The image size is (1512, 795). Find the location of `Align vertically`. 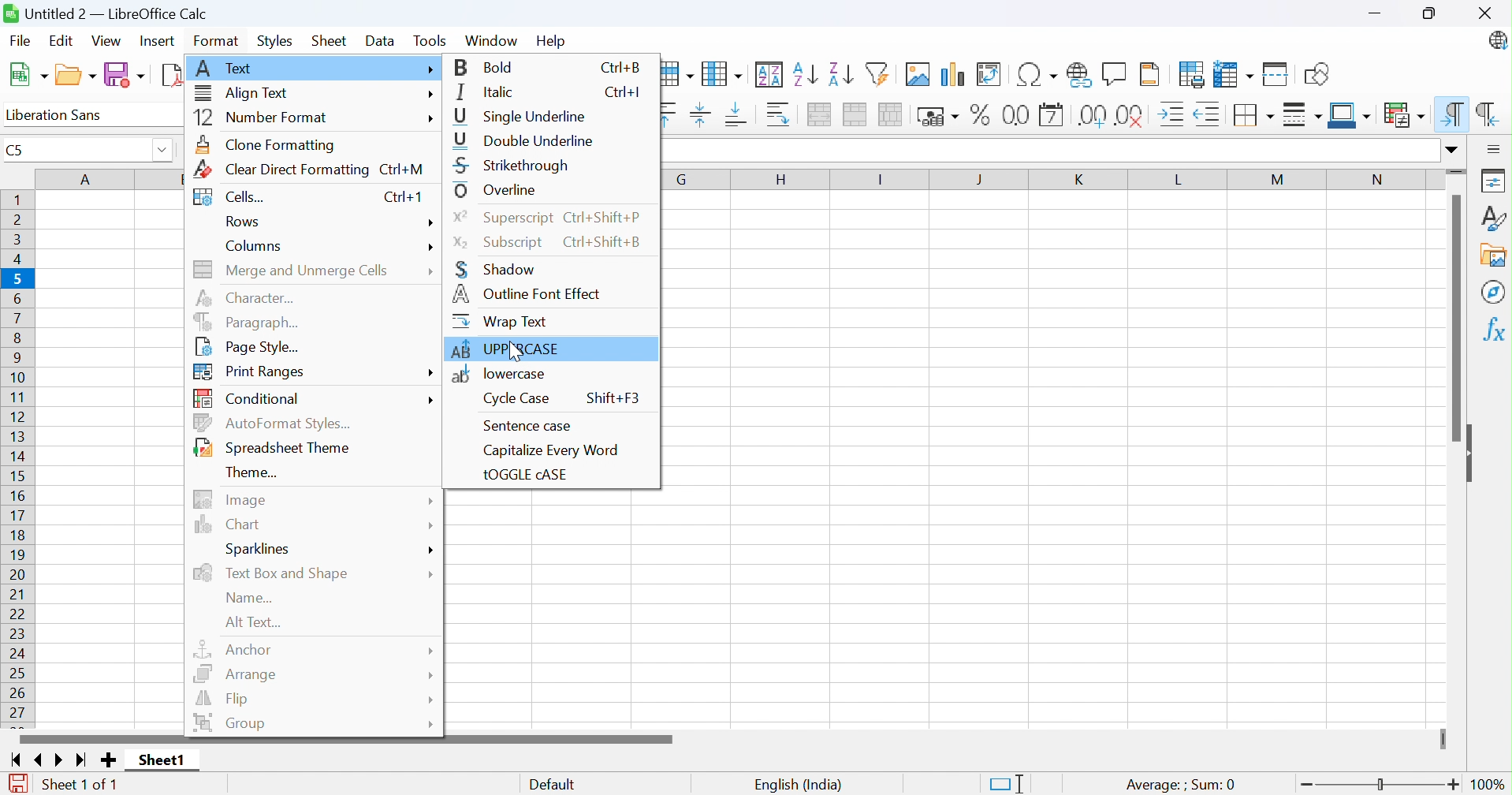

Align vertically is located at coordinates (702, 114).